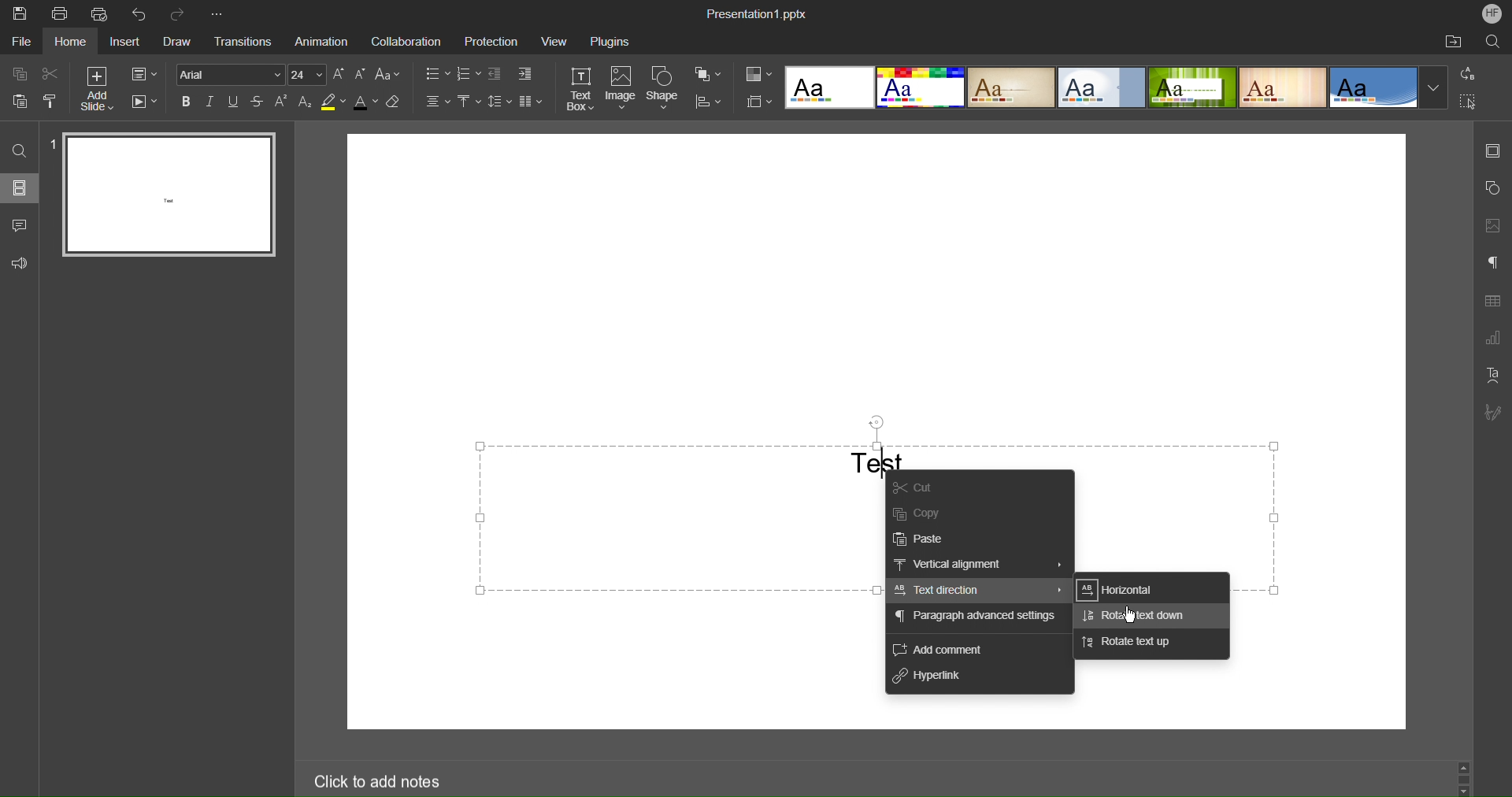 This screenshot has width=1512, height=797. I want to click on Open Folder, so click(1455, 43).